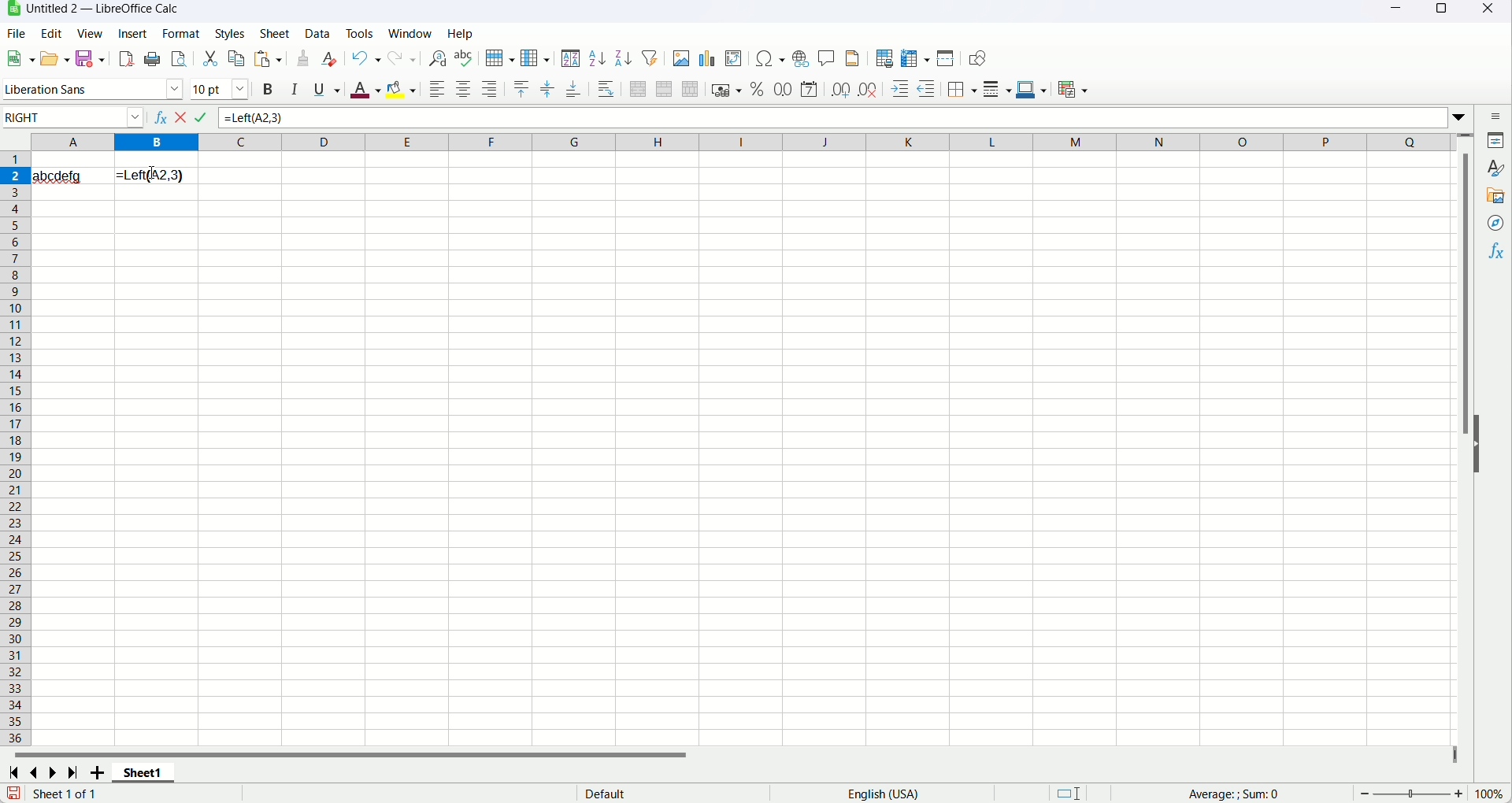 The image size is (1512, 803). What do you see at coordinates (463, 58) in the screenshot?
I see `spelling` at bounding box center [463, 58].